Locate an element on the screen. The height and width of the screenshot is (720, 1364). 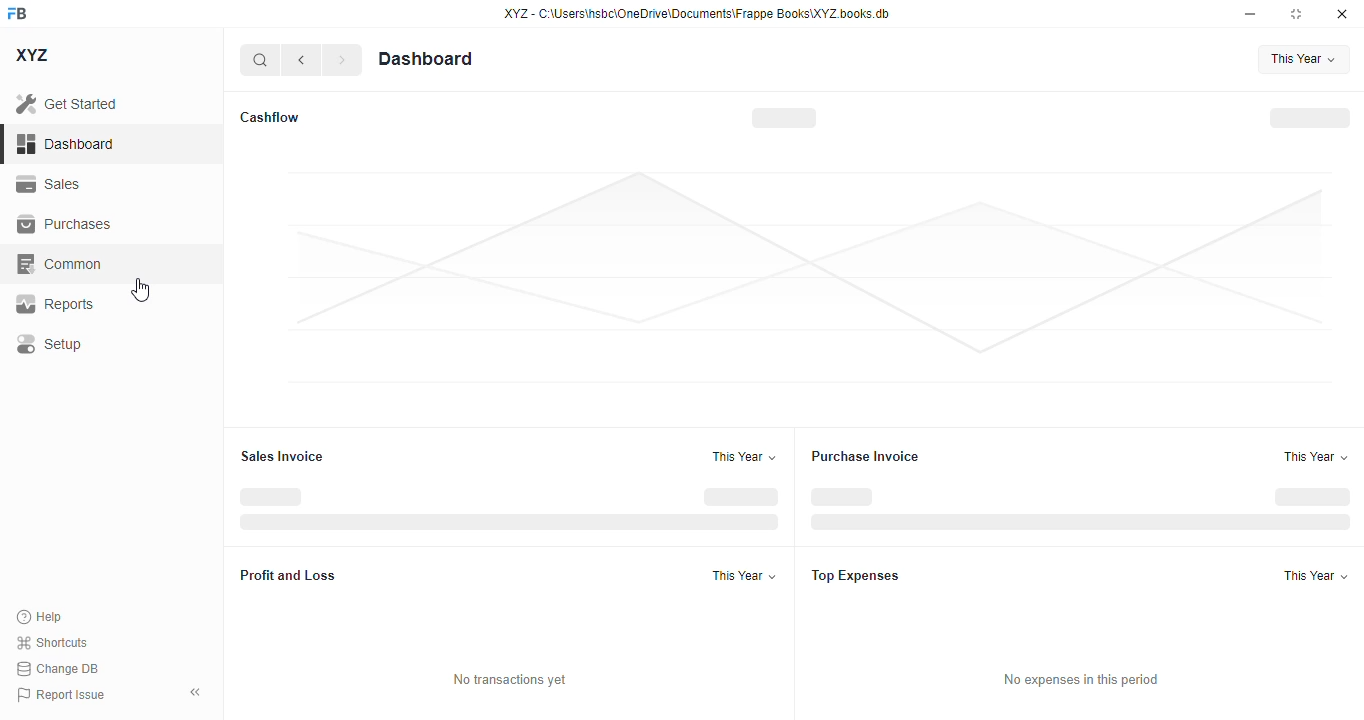
reports is located at coordinates (55, 304).